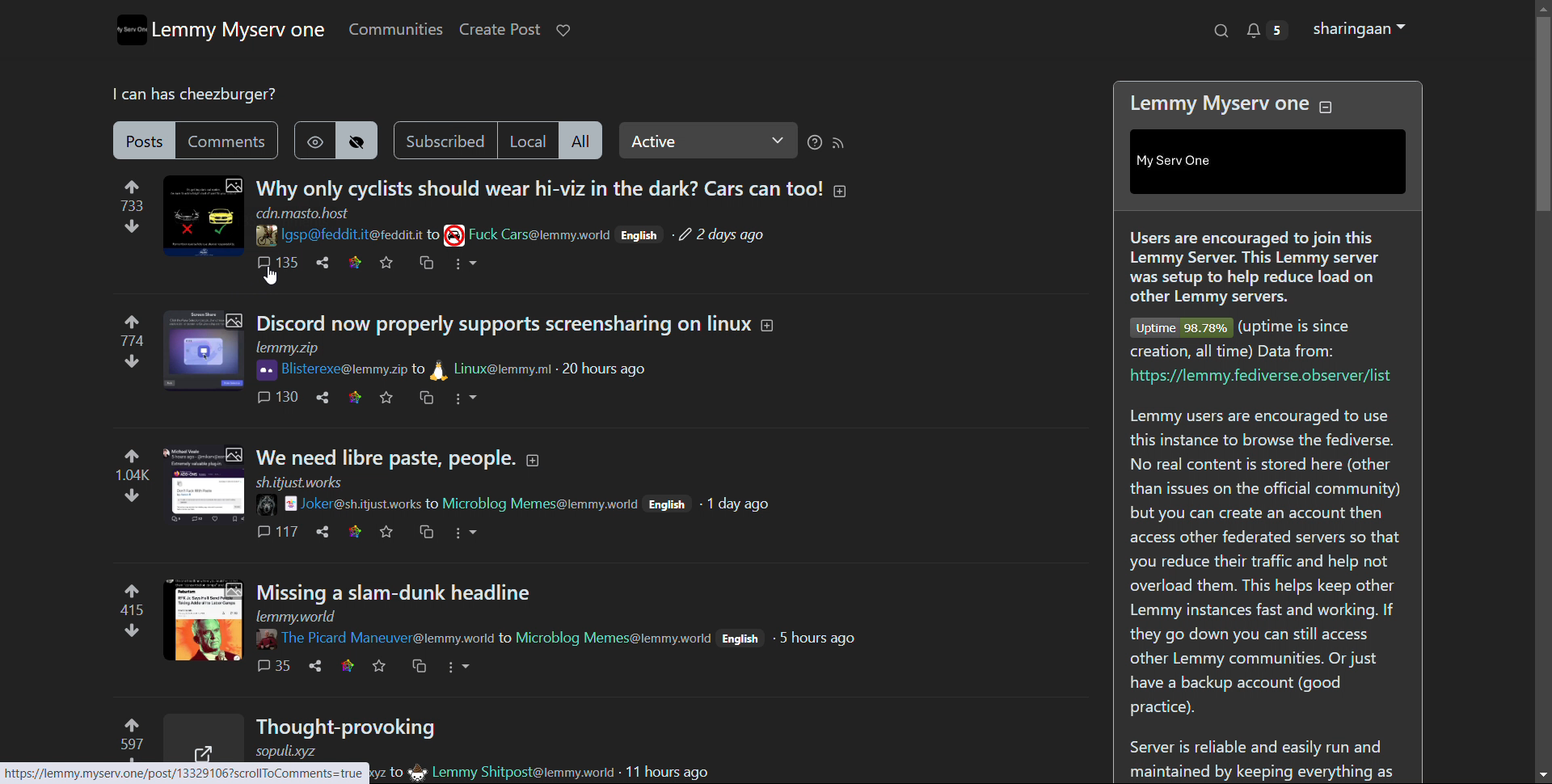 The image size is (1552, 784). I want to click on profile, so click(1358, 28).